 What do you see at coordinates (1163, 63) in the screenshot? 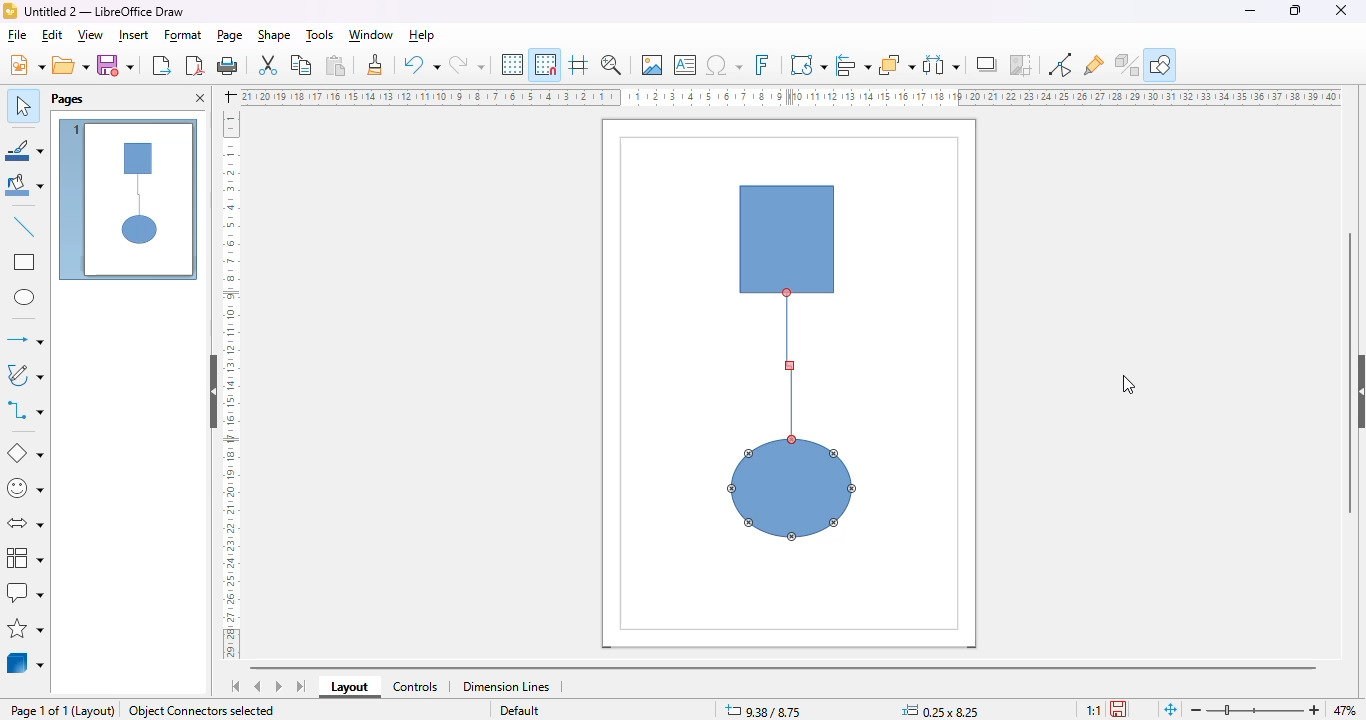
I see `show draw functions` at bounding box center [1163, 63].